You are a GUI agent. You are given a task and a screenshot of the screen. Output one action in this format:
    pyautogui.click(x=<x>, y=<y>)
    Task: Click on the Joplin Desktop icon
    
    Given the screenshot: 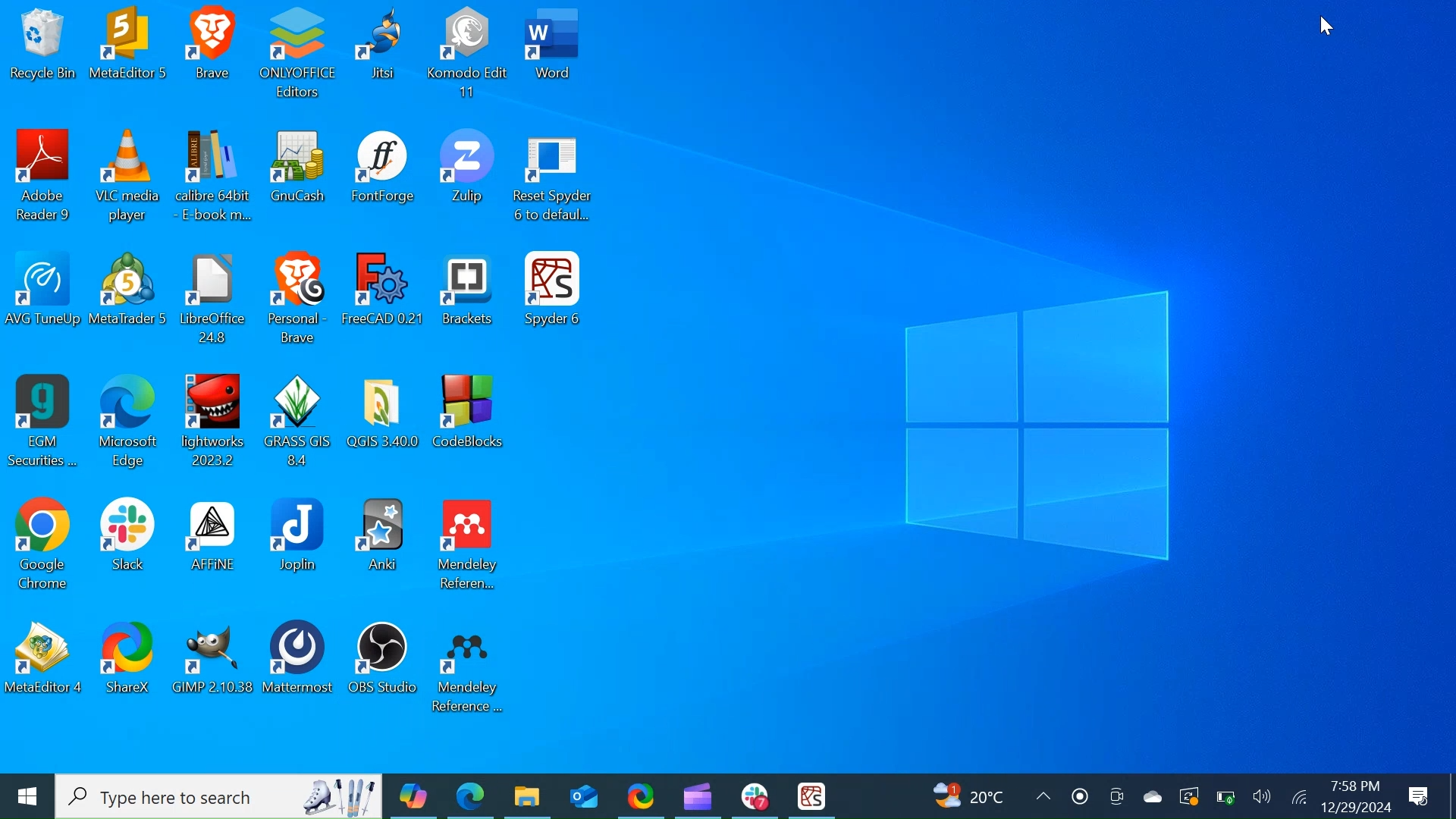 What is the action you would take?
    pyautogui.click(x=297, y=547)
    